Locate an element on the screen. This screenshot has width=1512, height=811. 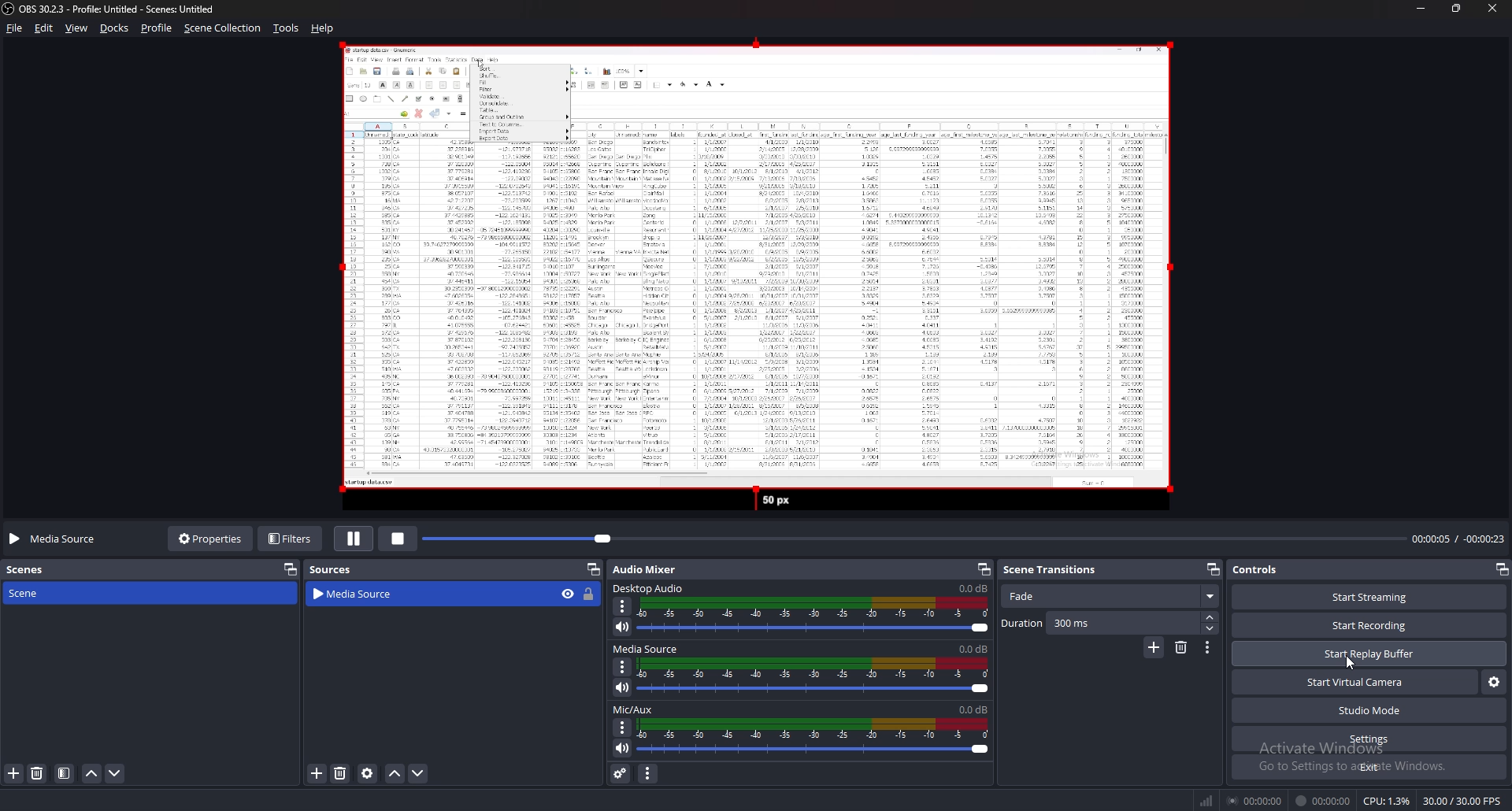
exit is located at coordinates (1368, 766).